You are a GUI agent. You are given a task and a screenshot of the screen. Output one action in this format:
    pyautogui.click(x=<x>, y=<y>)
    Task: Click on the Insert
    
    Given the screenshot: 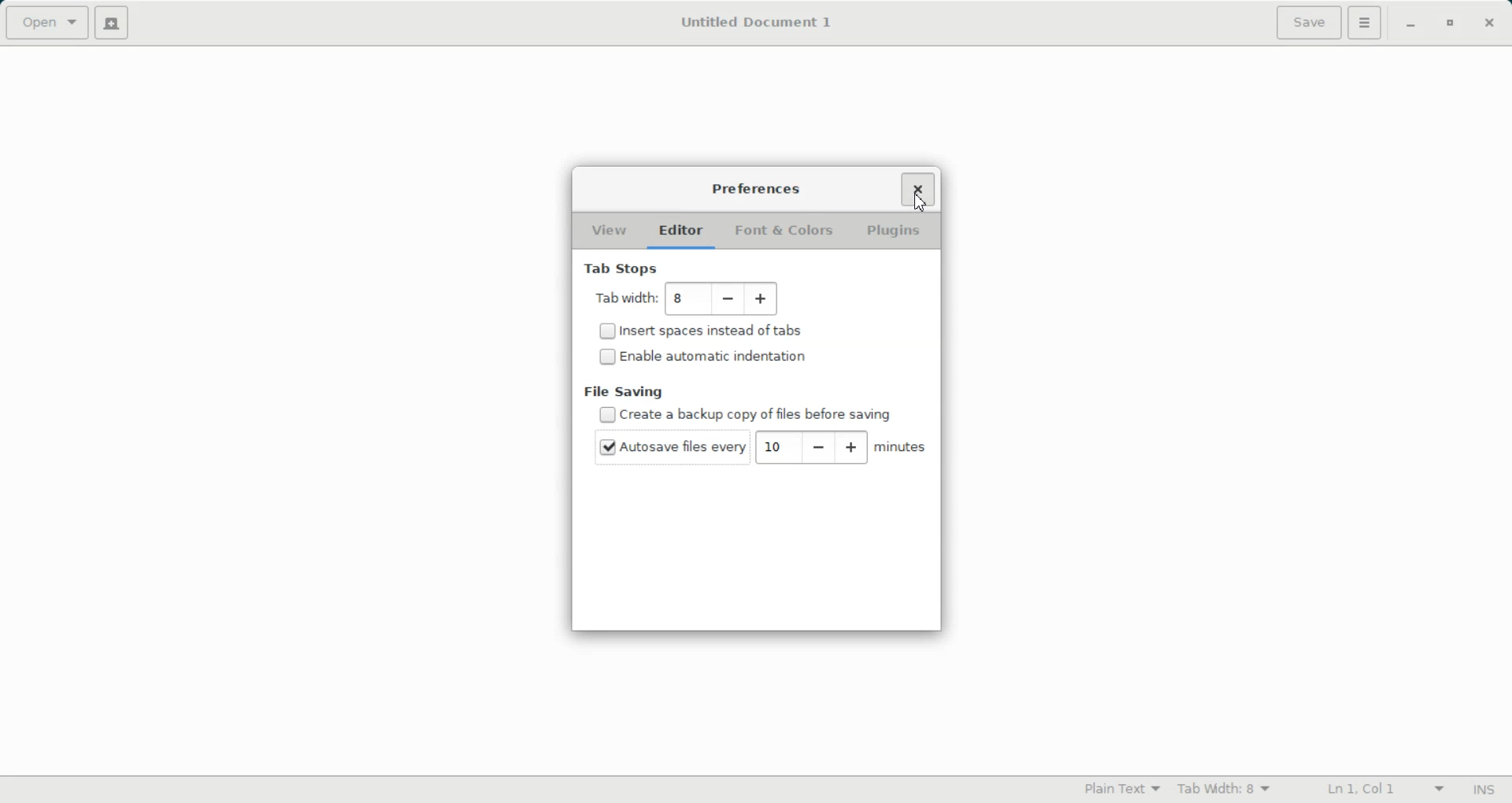 What is the action you would take?
    pyautogui.click(x=1483, y=790)
    